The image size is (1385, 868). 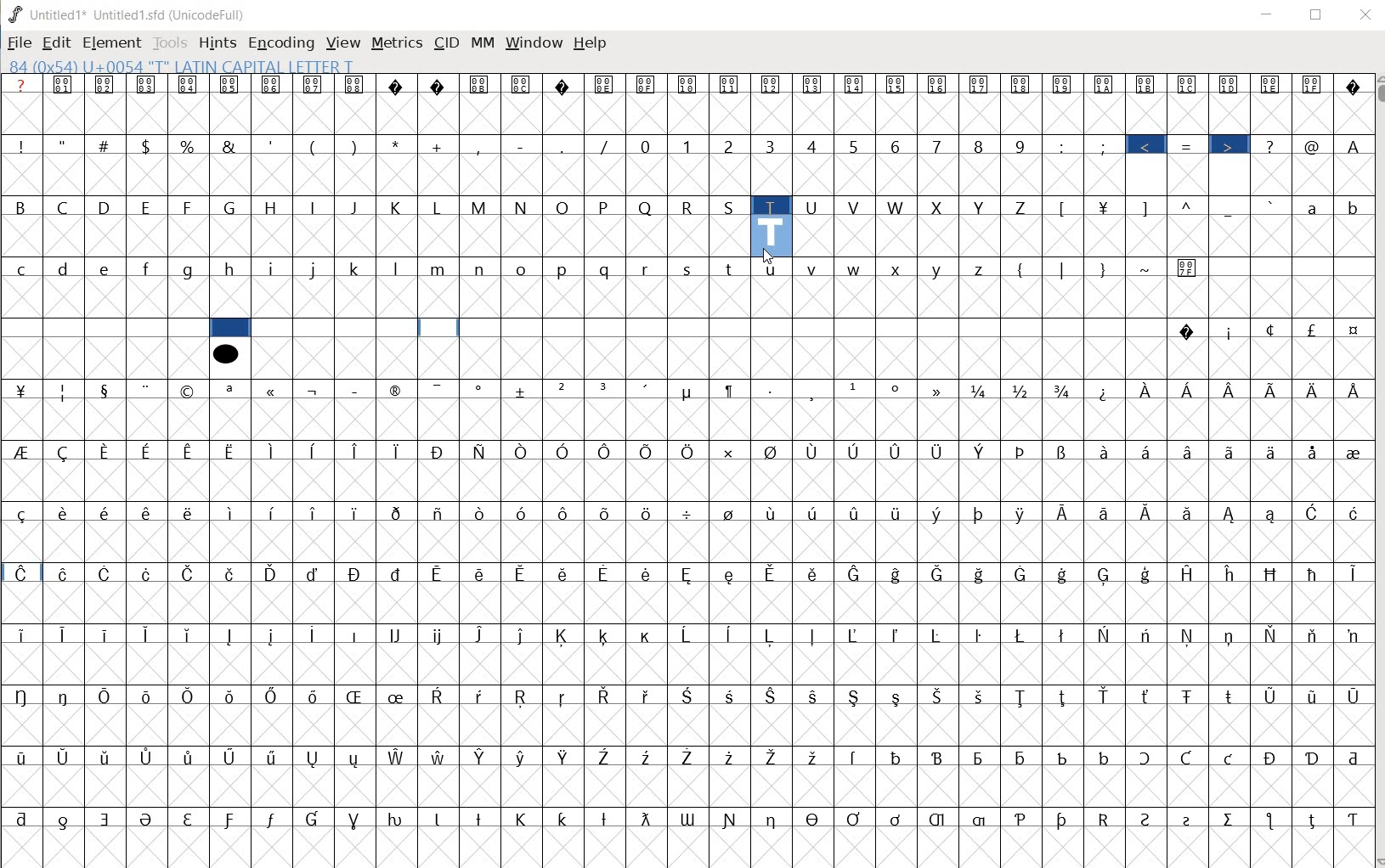 I want to click on Symbol, so click(x=1150, y=391).